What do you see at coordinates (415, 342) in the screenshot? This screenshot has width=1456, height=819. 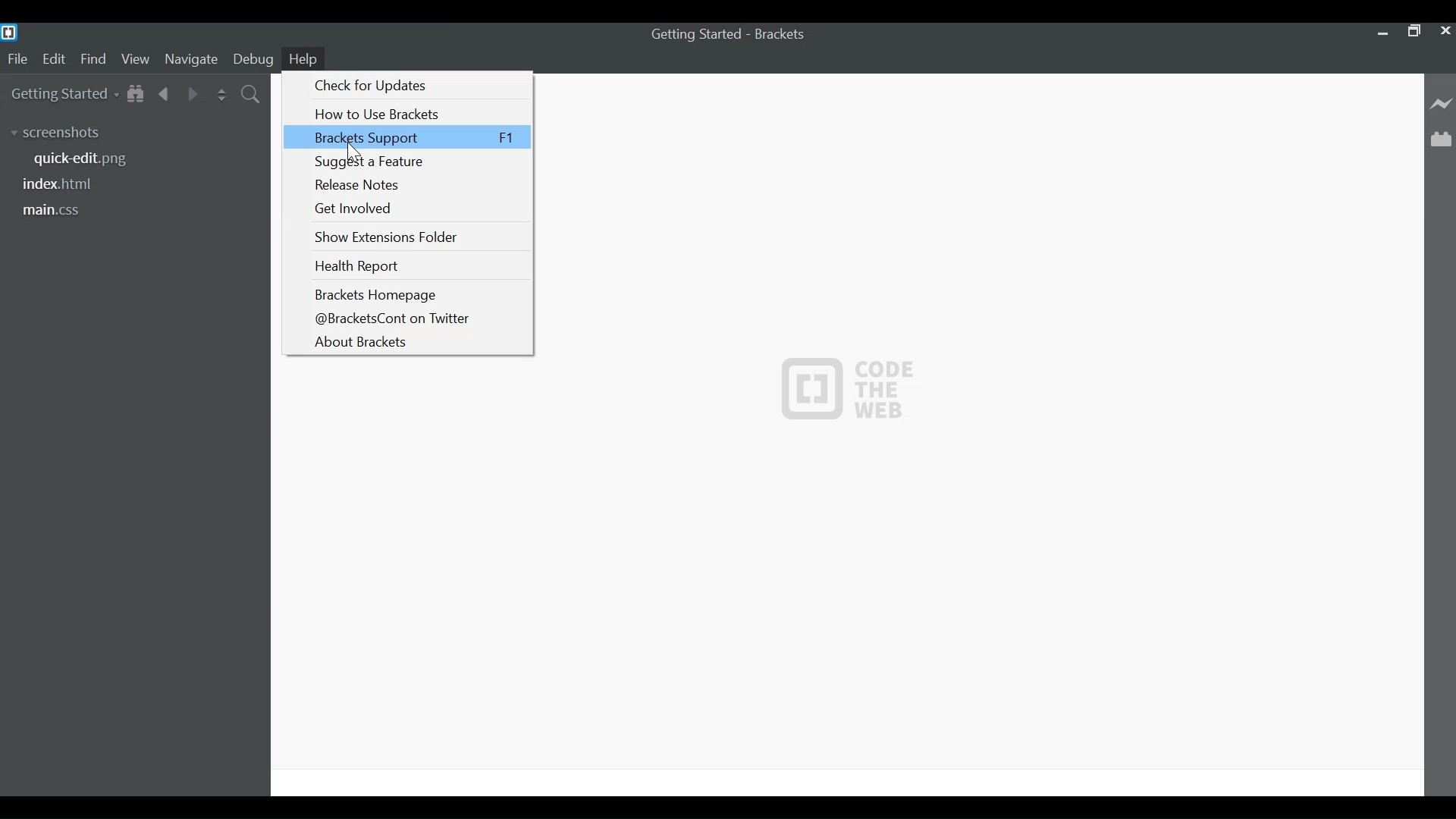 I see `About Brackets` at bounding box center [415, 342].